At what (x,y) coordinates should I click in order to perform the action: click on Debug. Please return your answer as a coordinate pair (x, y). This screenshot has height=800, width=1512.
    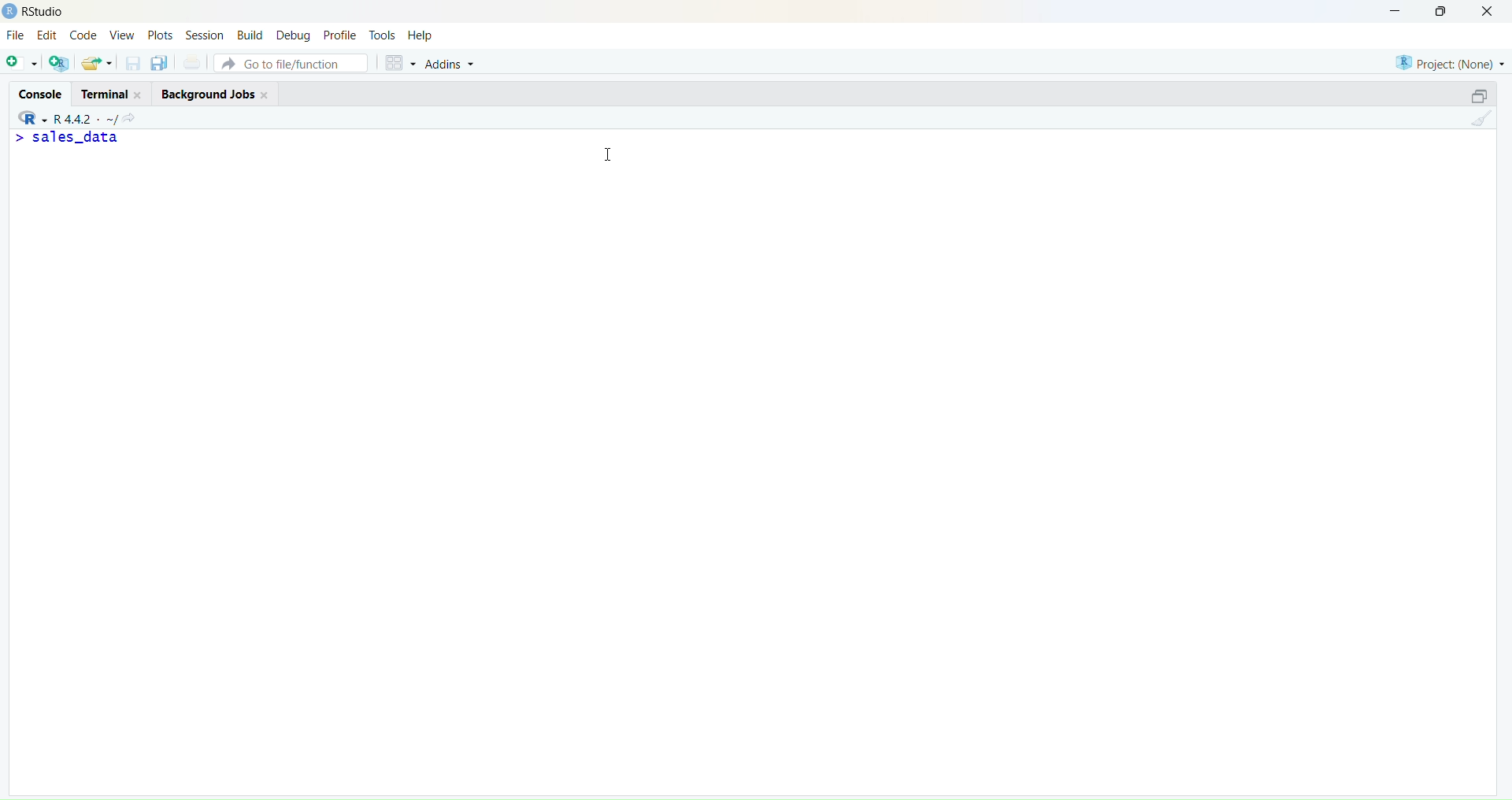
    Looking at the image, I should click on (293, 35).